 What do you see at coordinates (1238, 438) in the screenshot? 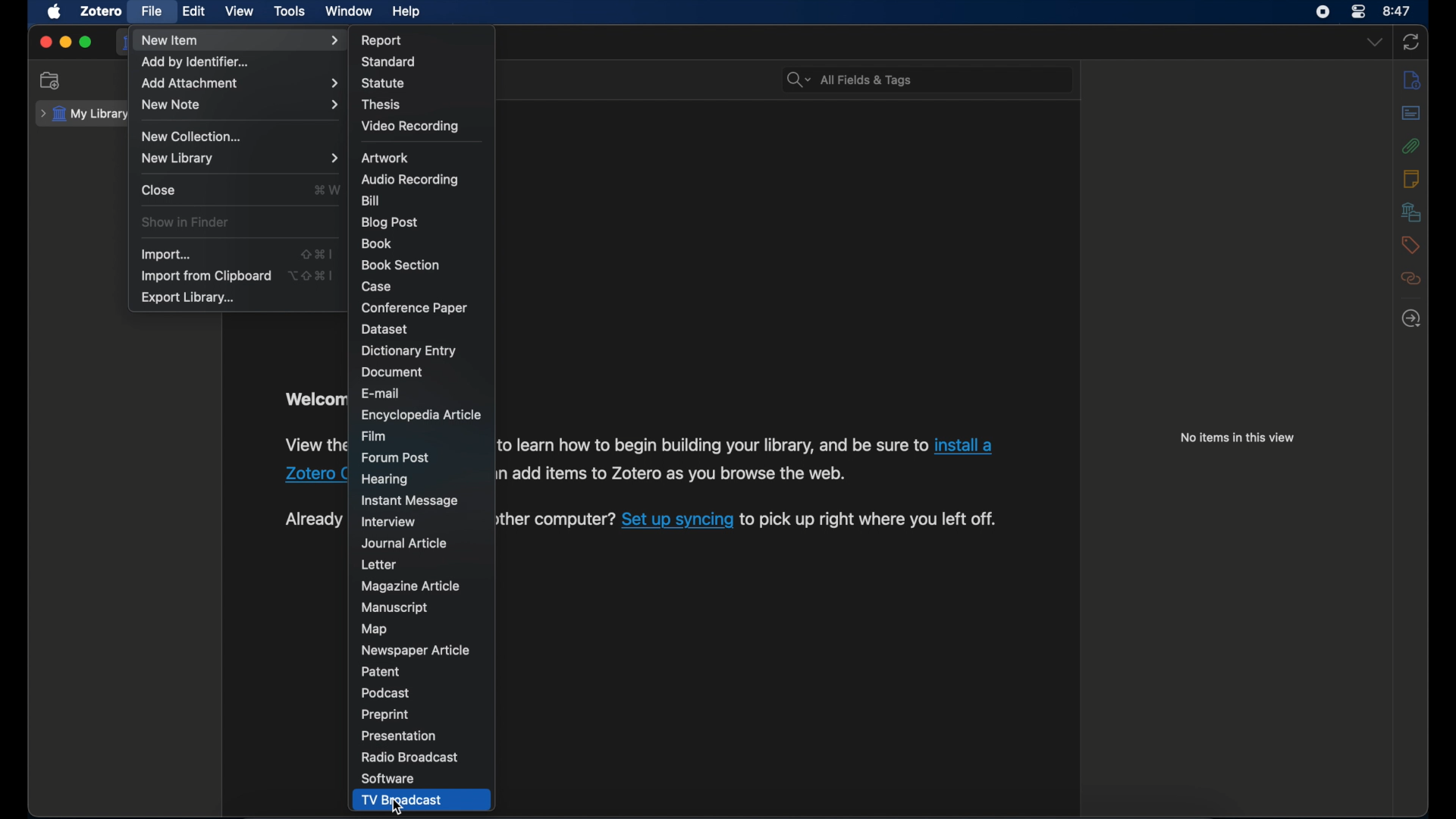
I see `no items in this view` at bounding box center [1238, 438].